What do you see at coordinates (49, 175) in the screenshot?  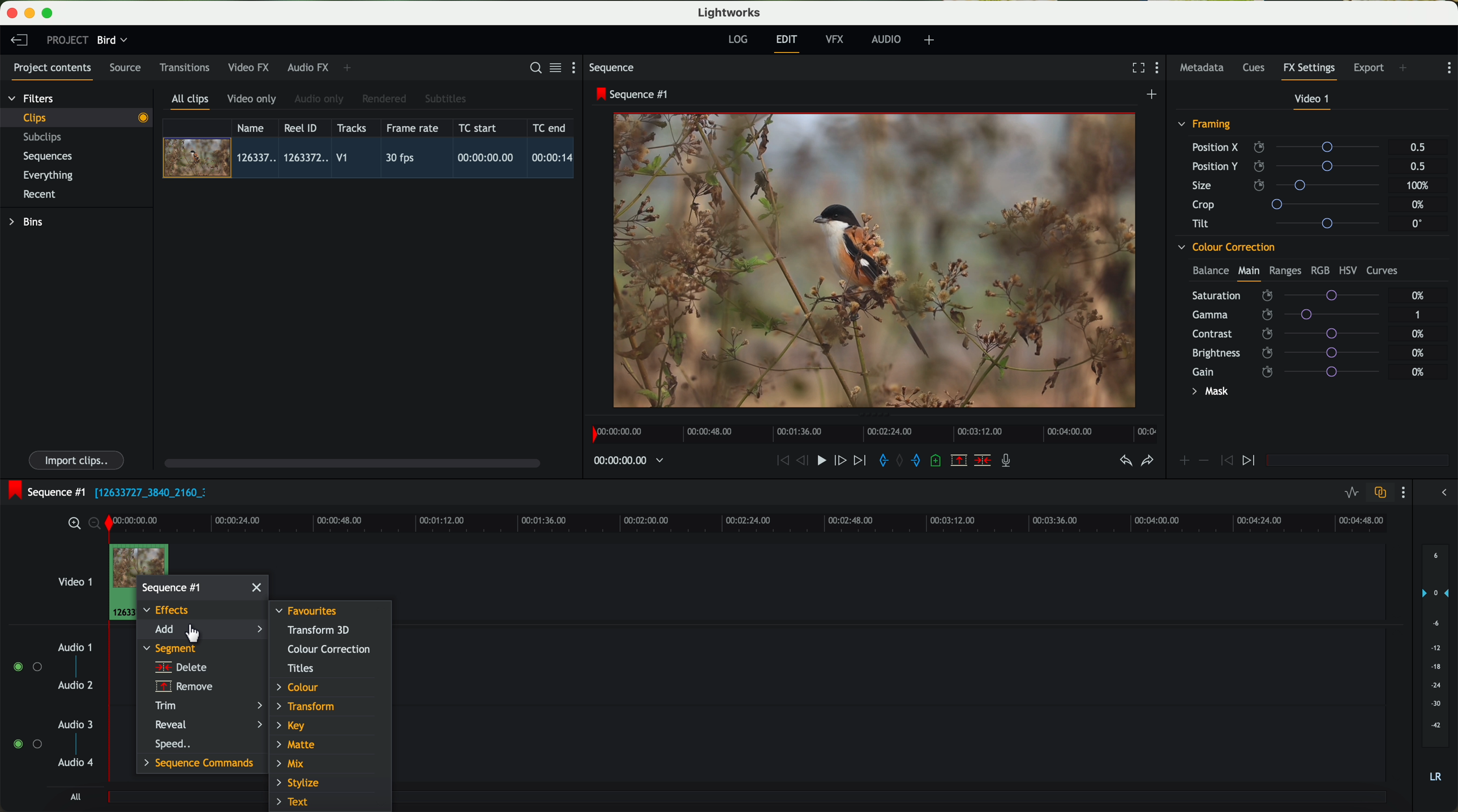 I see `everything` at bounding box center [49, 175].